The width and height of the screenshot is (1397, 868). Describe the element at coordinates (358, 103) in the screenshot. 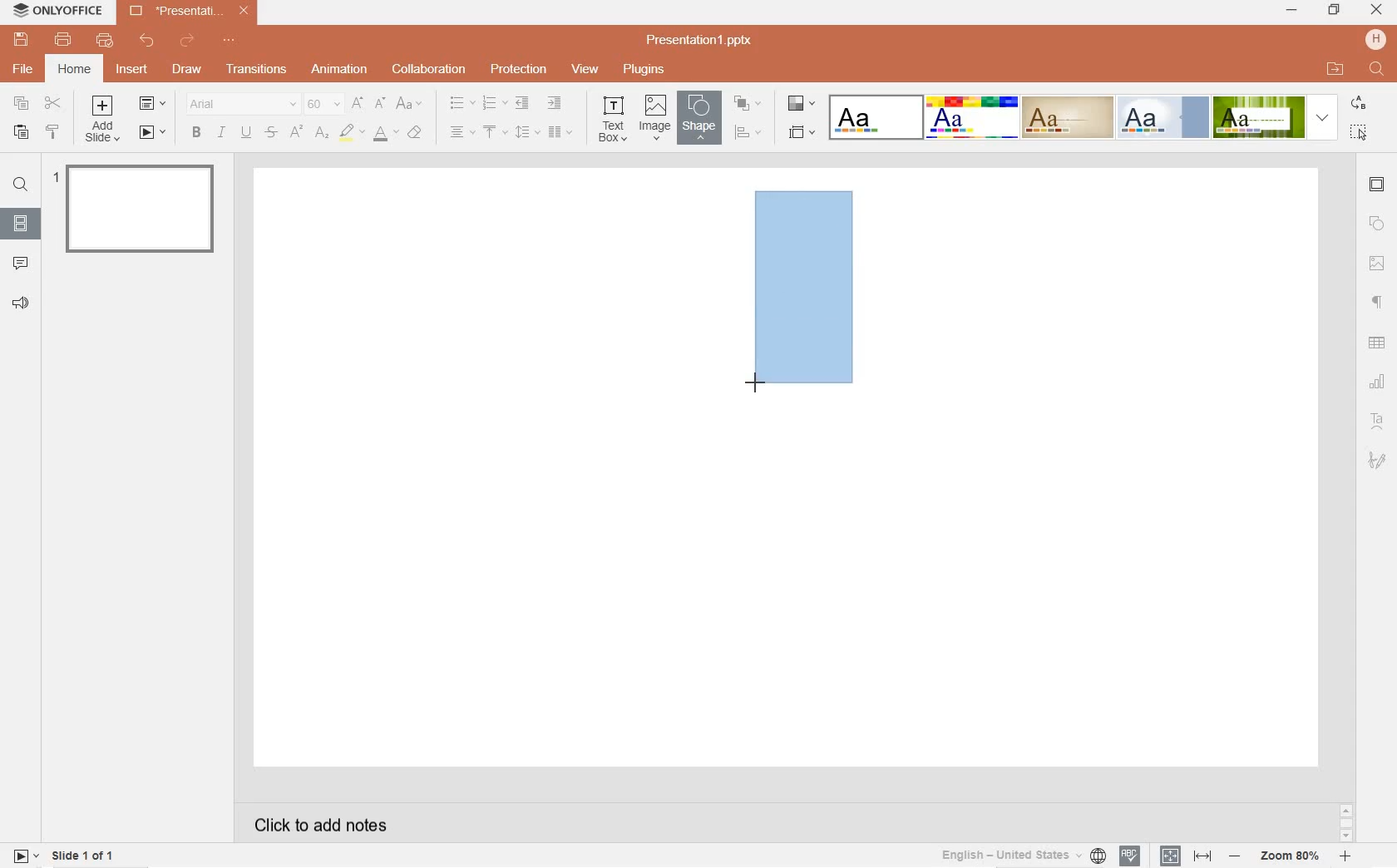

I see `increment font size` at that location.